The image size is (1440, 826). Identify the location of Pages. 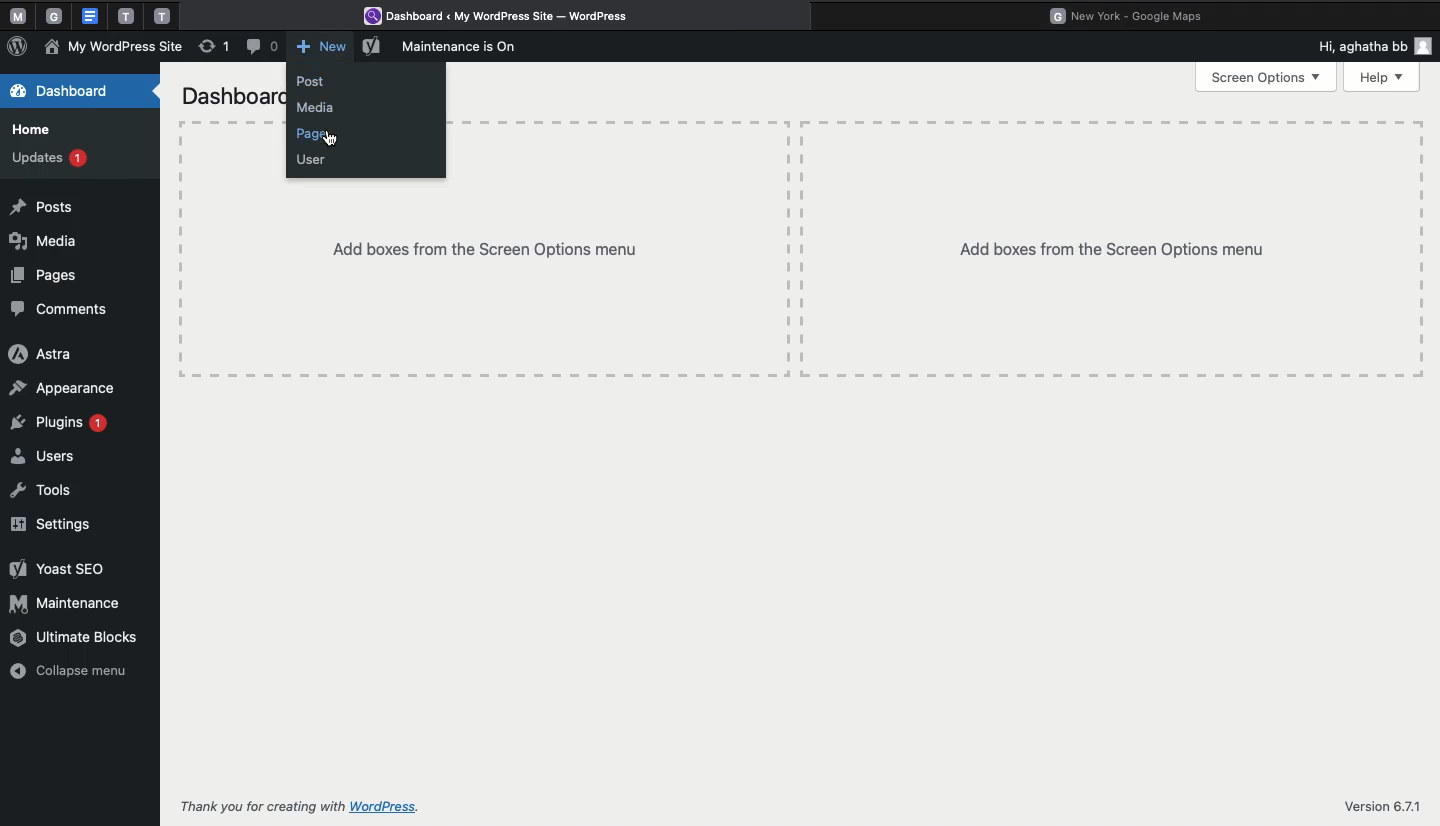
(316, 135).